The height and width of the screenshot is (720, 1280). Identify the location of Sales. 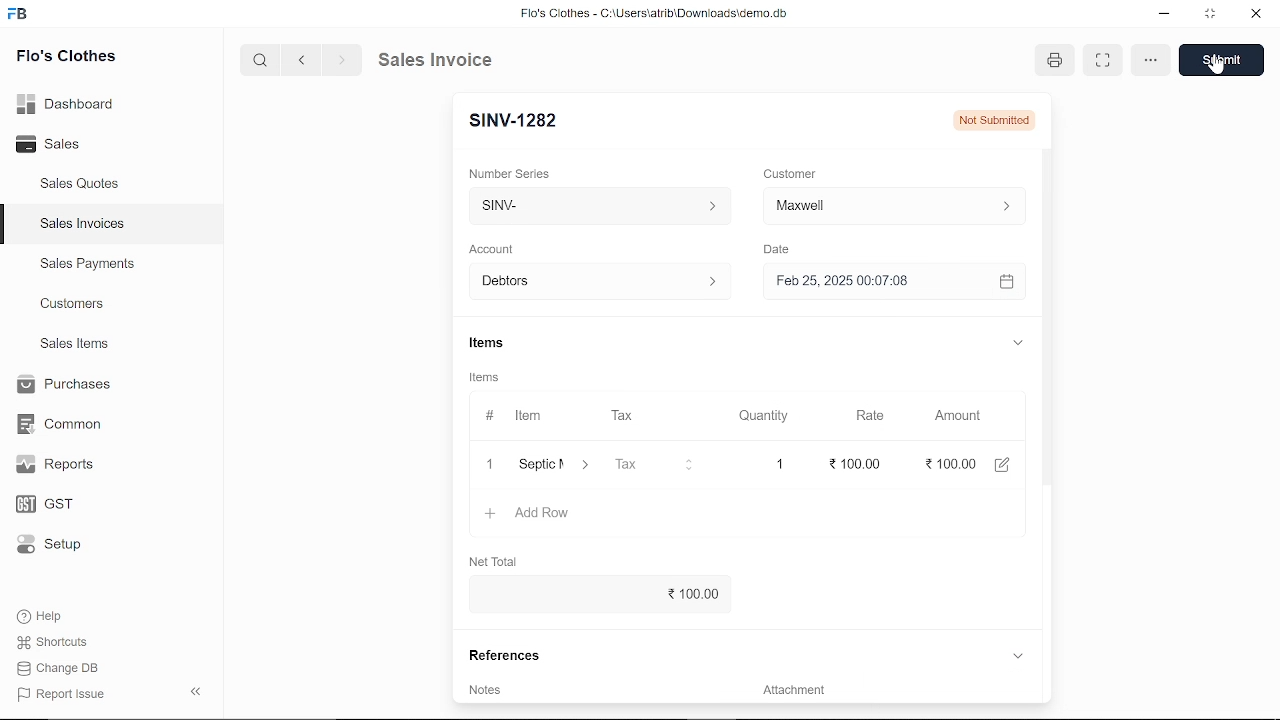
(57, 142).